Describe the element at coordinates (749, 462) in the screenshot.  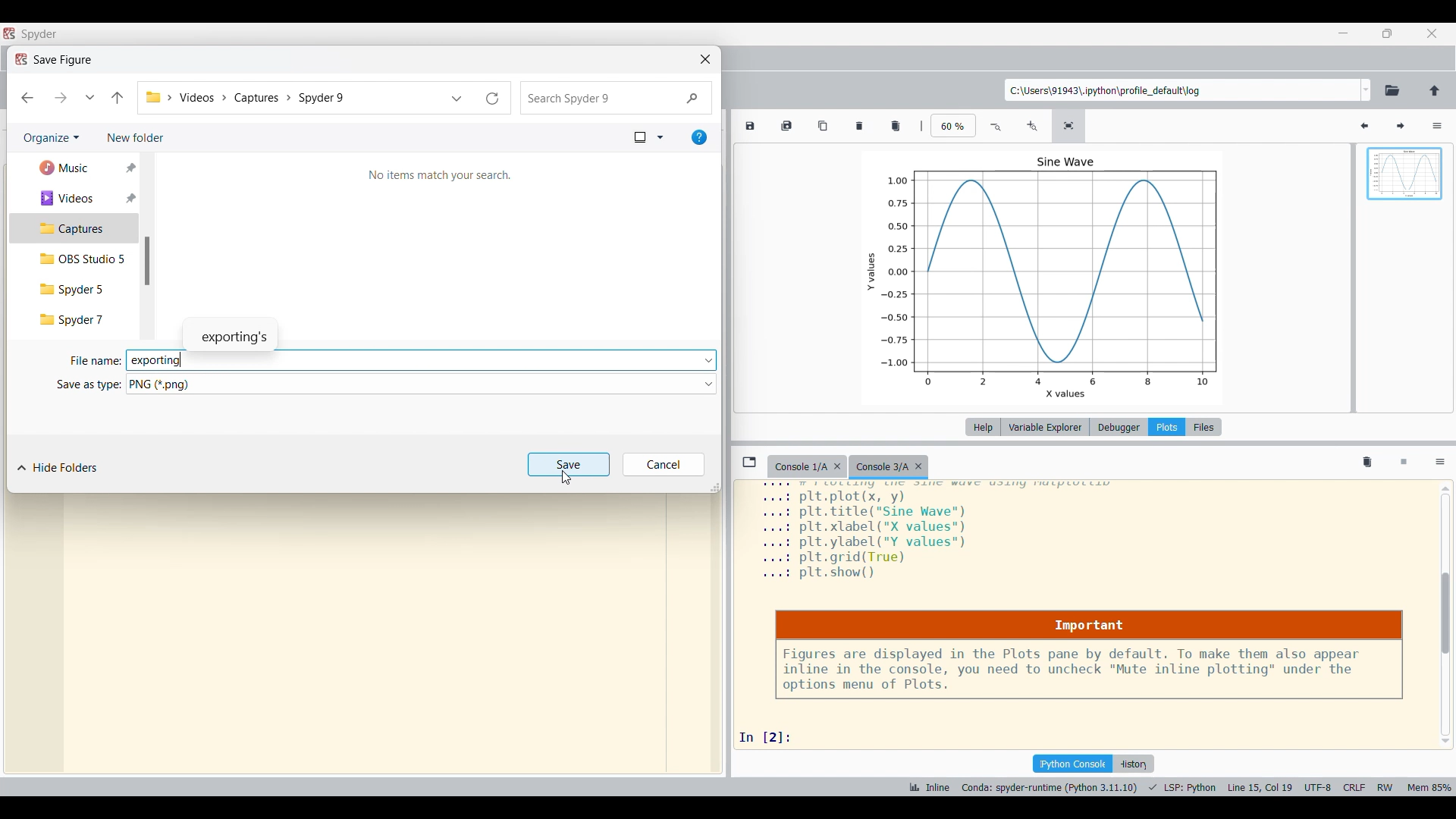
I see `Browse tabs` at that location.